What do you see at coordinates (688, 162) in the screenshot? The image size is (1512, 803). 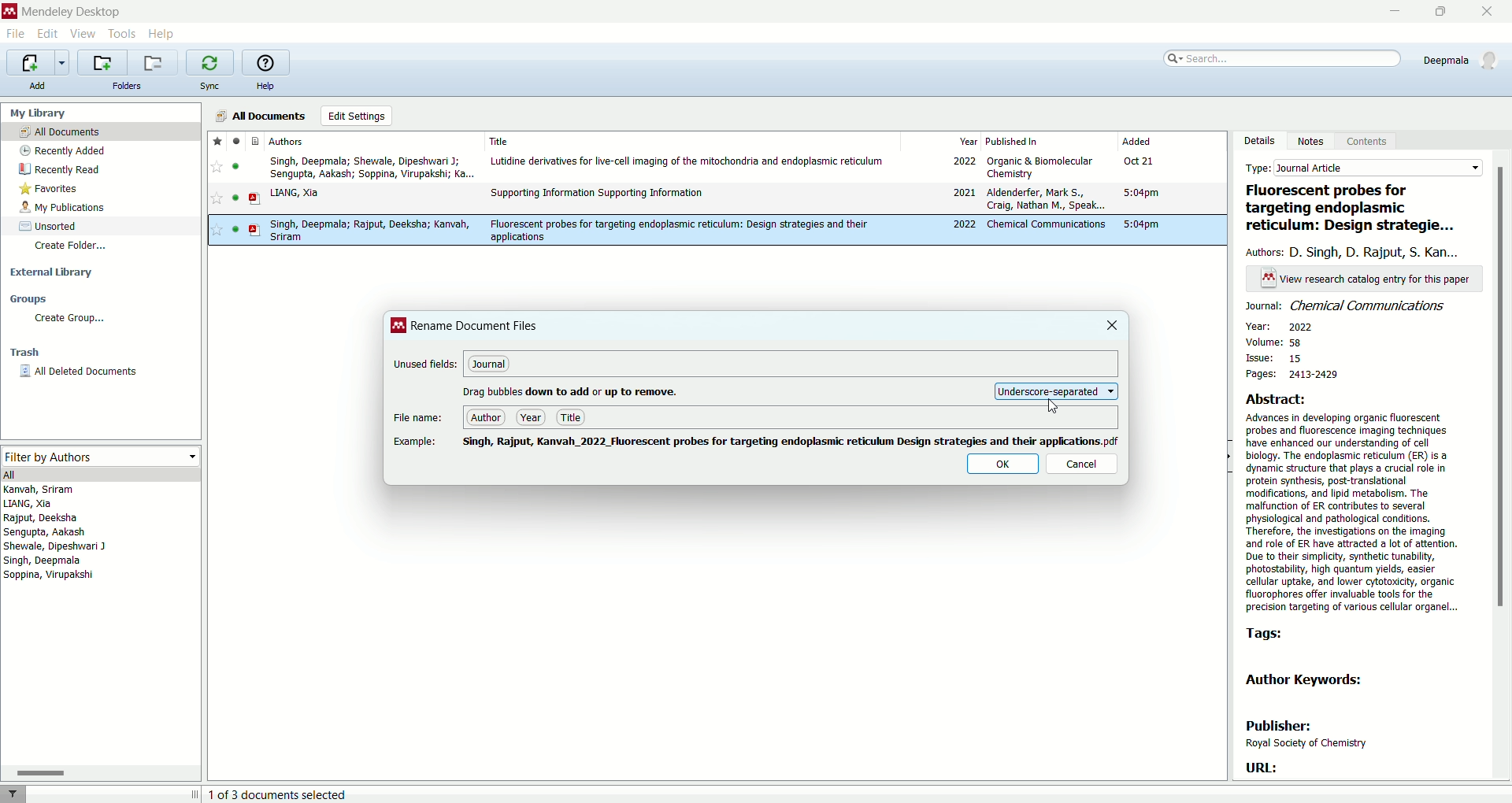 I see `Lutidine derivatives for live-cell imaging of the mitochondria and endoplasmic reticulum` at bounding box center [688, 162].